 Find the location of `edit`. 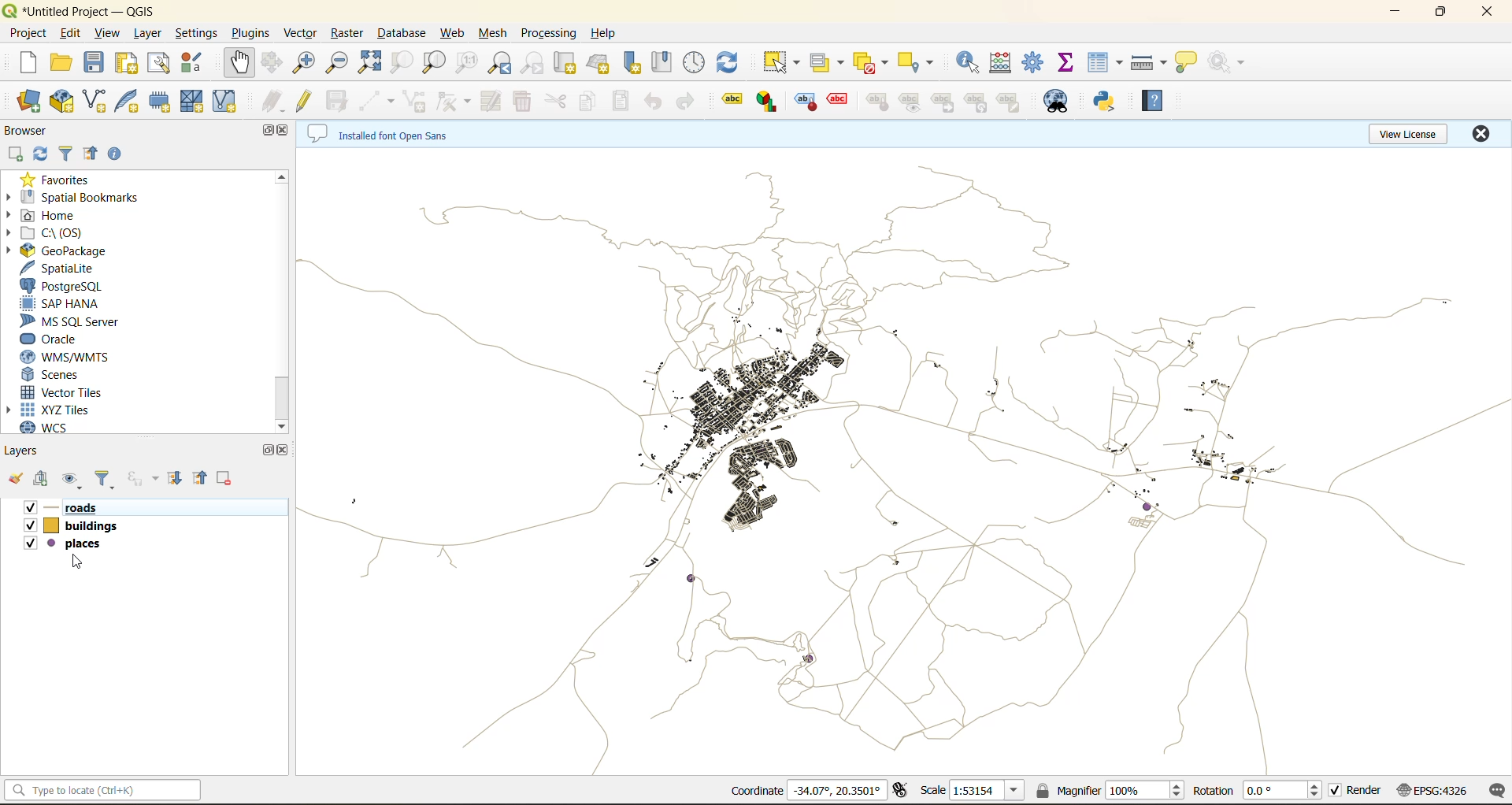

edit is located at coordinates (73, 35).